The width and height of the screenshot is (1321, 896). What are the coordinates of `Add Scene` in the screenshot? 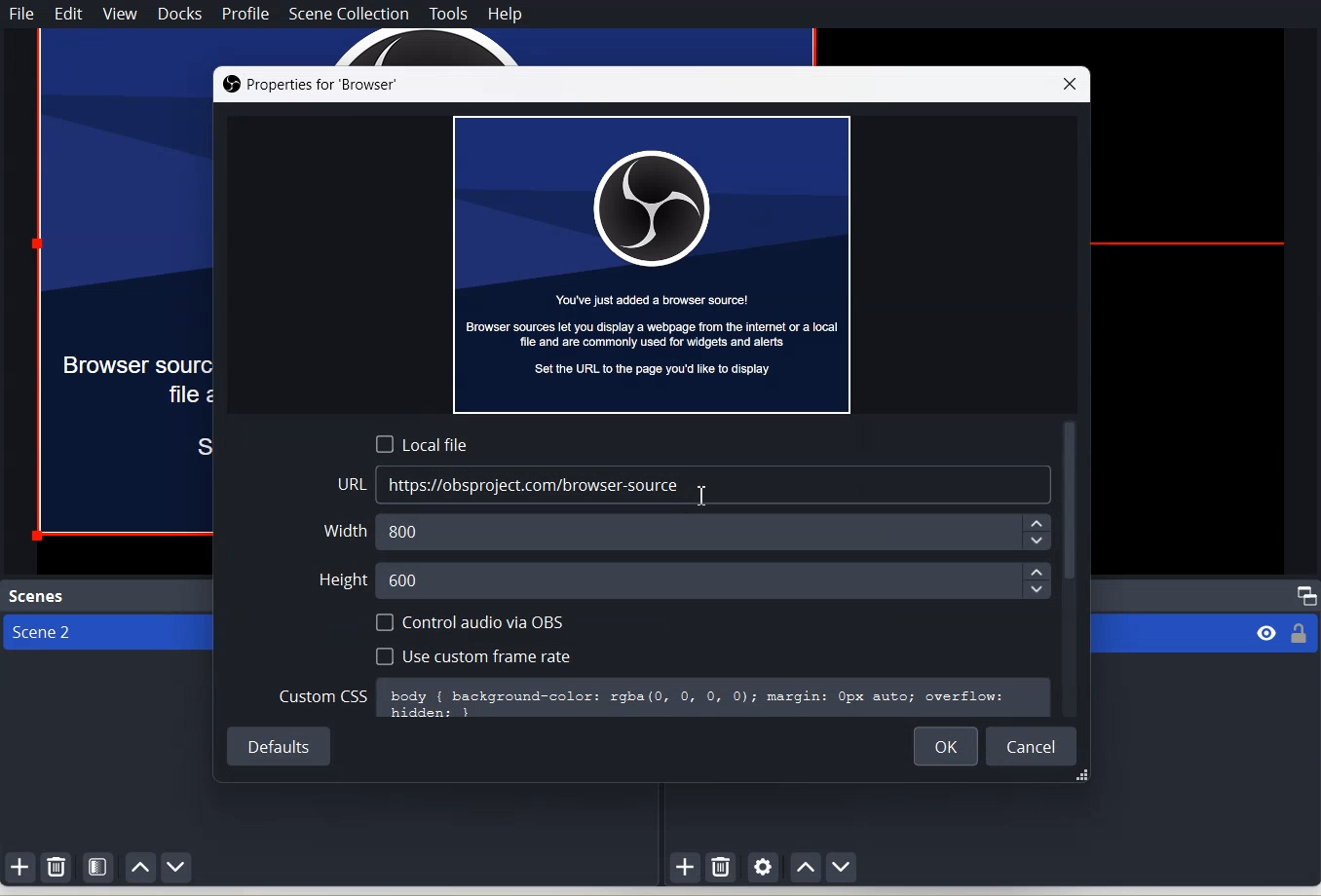 It's located at (19, 866).